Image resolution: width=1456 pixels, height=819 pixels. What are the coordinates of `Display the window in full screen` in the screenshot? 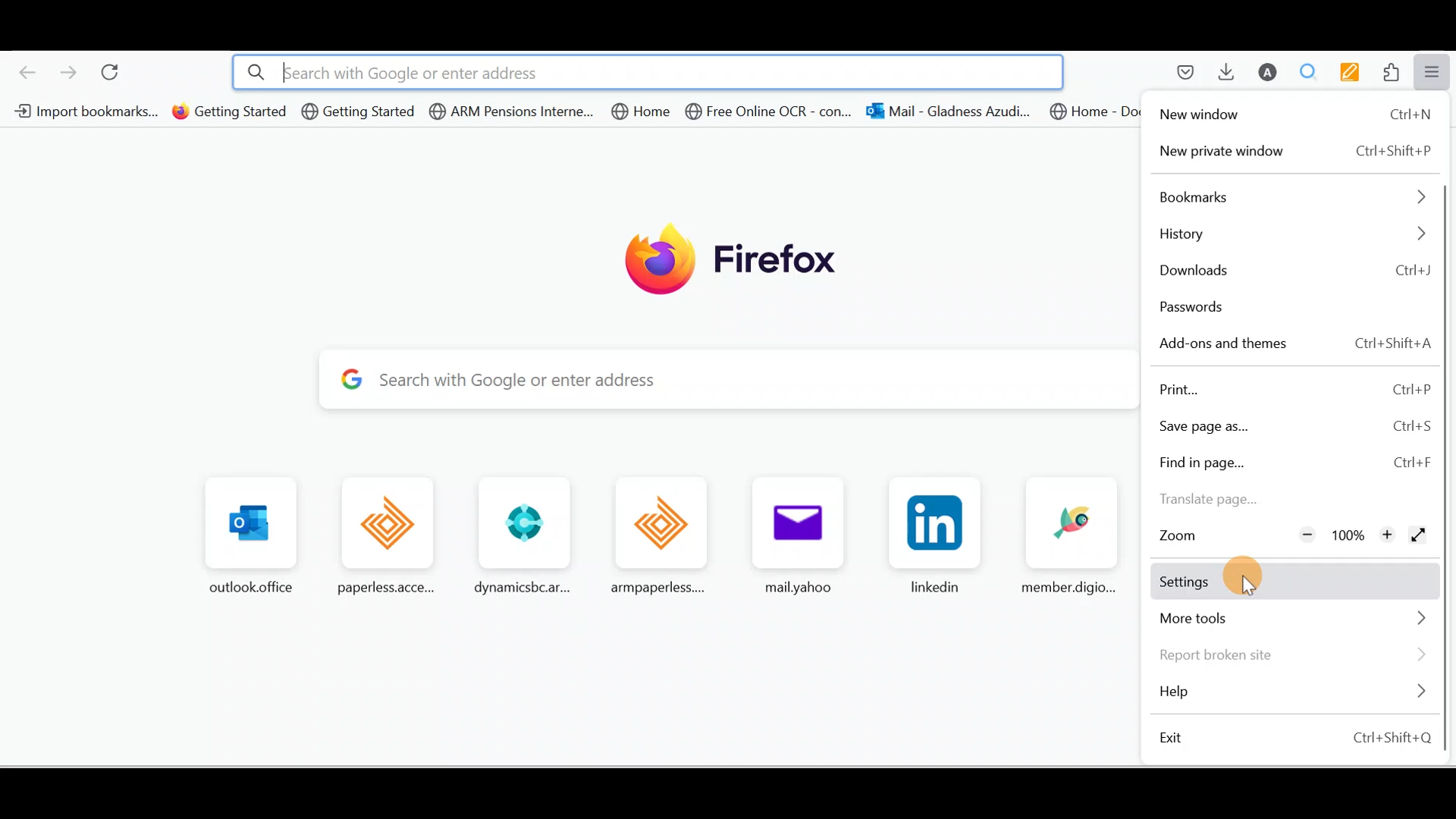 It's located at (1421, 538).